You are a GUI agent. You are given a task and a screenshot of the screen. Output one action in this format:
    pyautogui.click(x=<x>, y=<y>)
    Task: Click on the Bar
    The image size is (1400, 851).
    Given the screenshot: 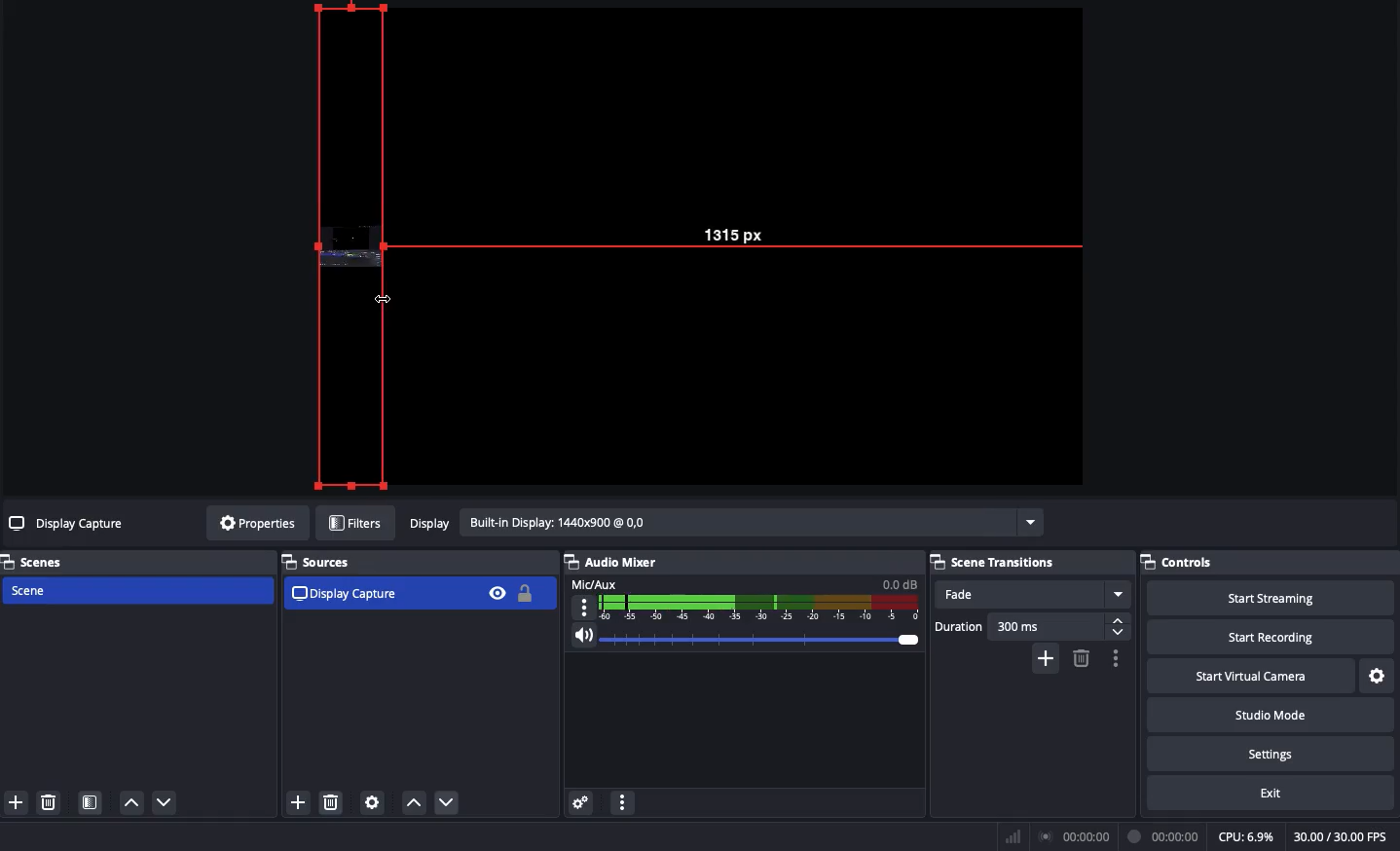 What is the action you would take?
    pyautogui.click(x=1013, y=836)
    